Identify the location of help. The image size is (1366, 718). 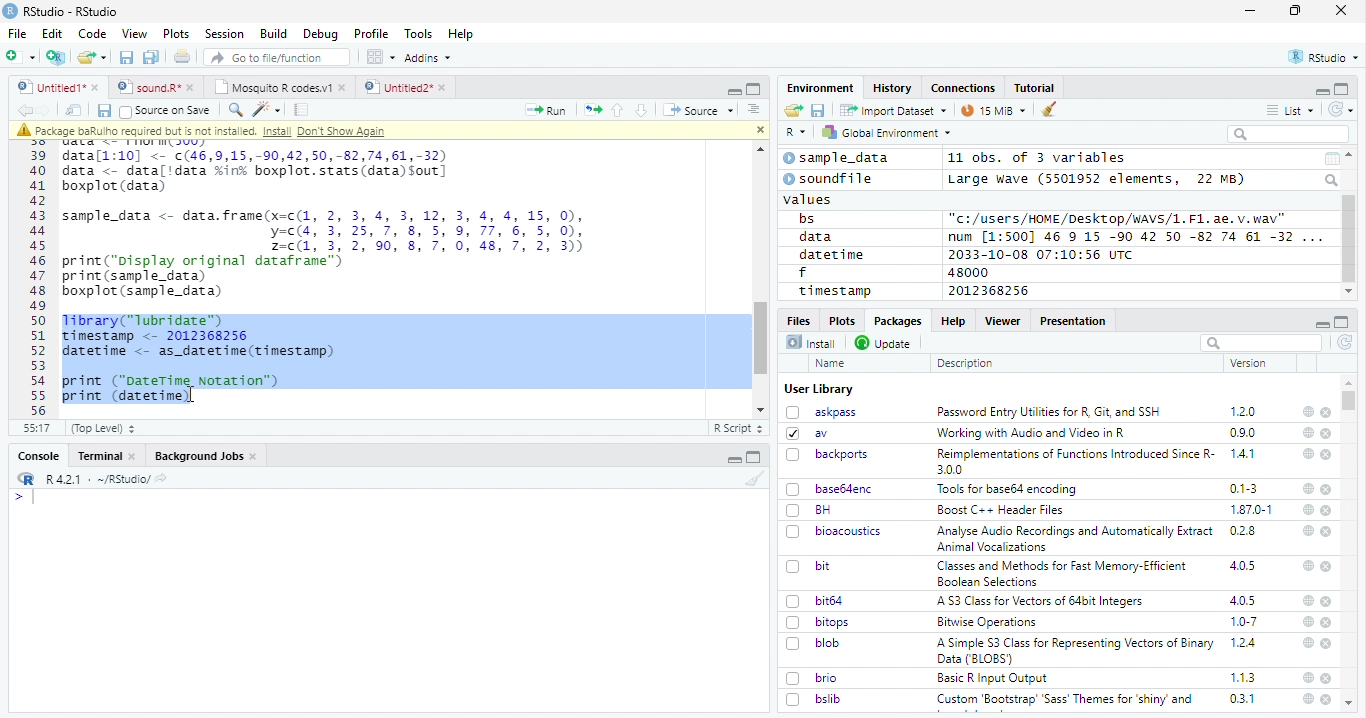
(1307, 565).